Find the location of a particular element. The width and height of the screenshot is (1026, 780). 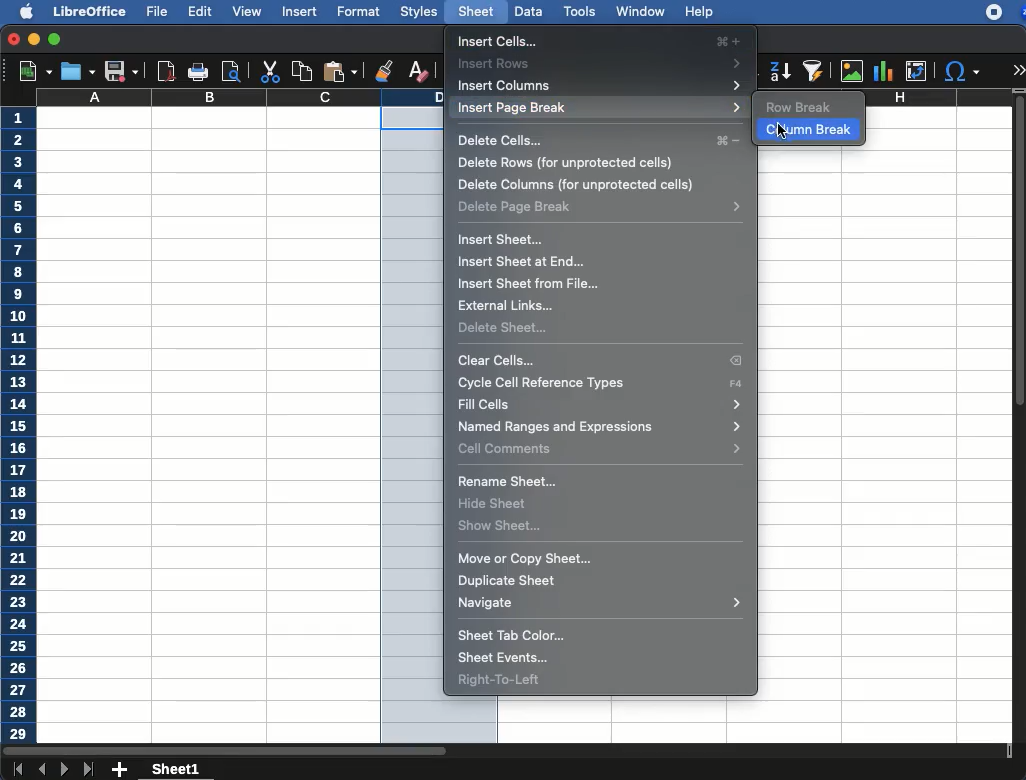

data is located at coordinates (528, 10).